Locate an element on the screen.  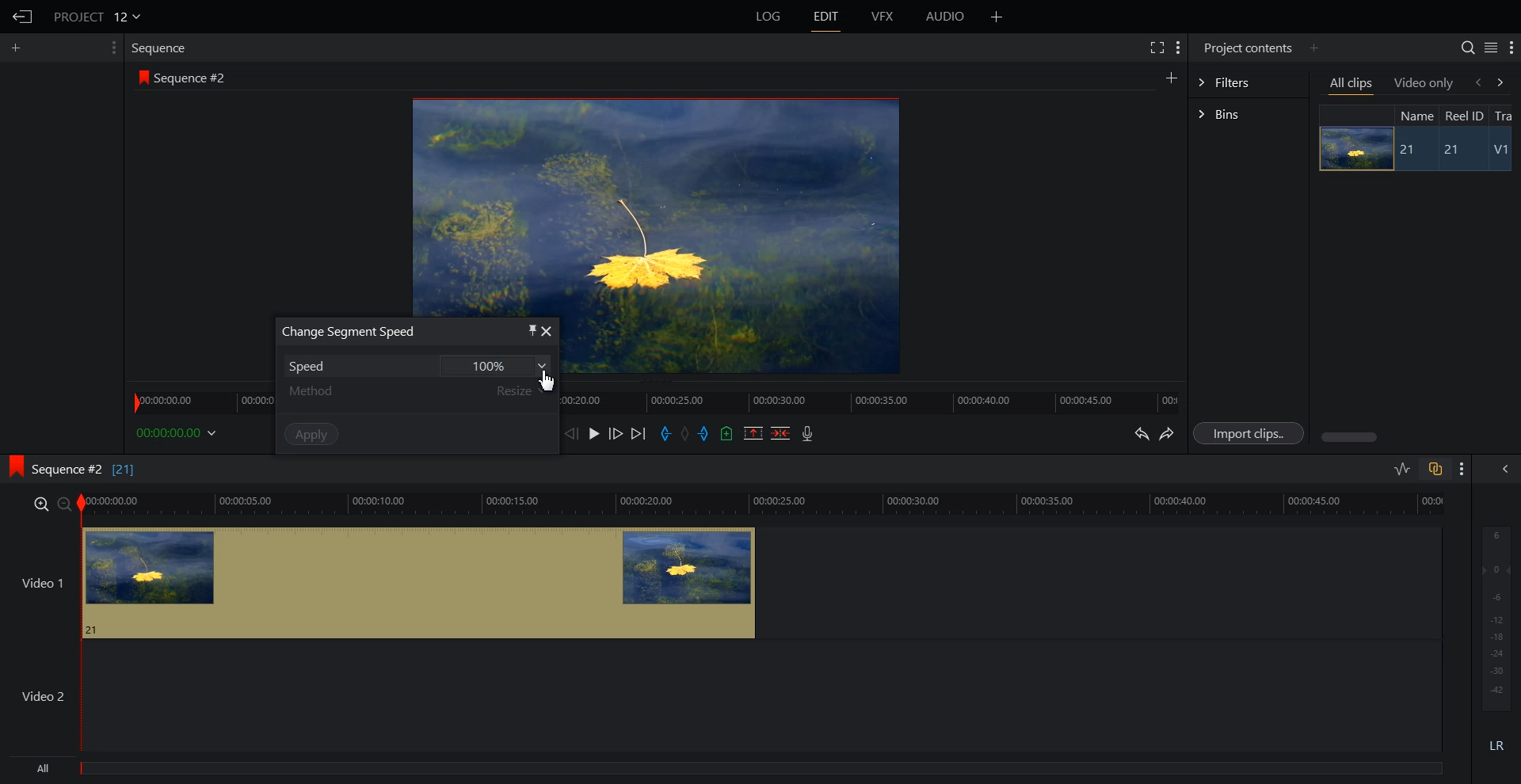
Horizontal scroll bar is located at coordinates (1351, 437).